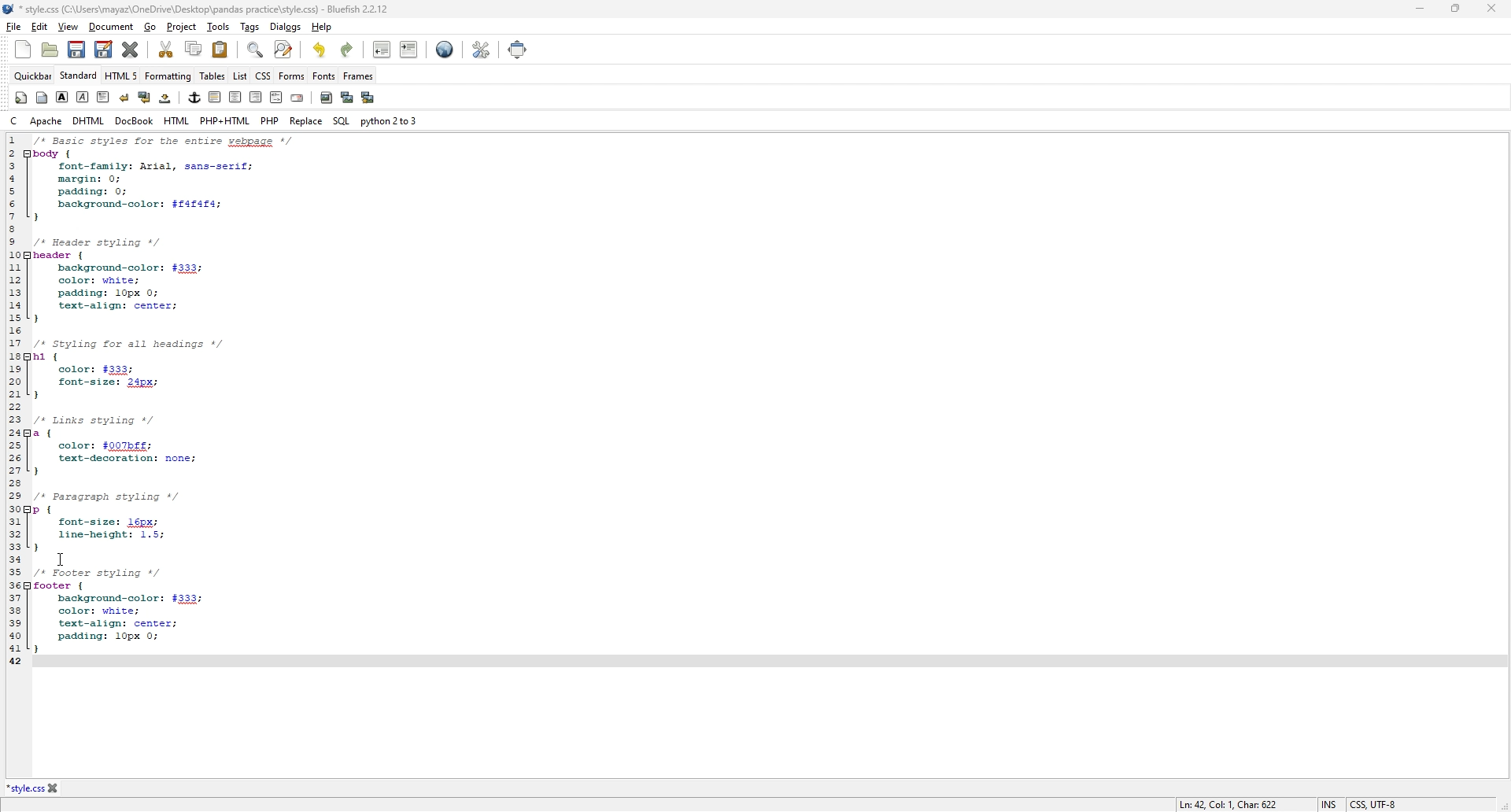 The width and height of the screenshot is (1511, 812). I want to click on quickbar, so click(33, 76).